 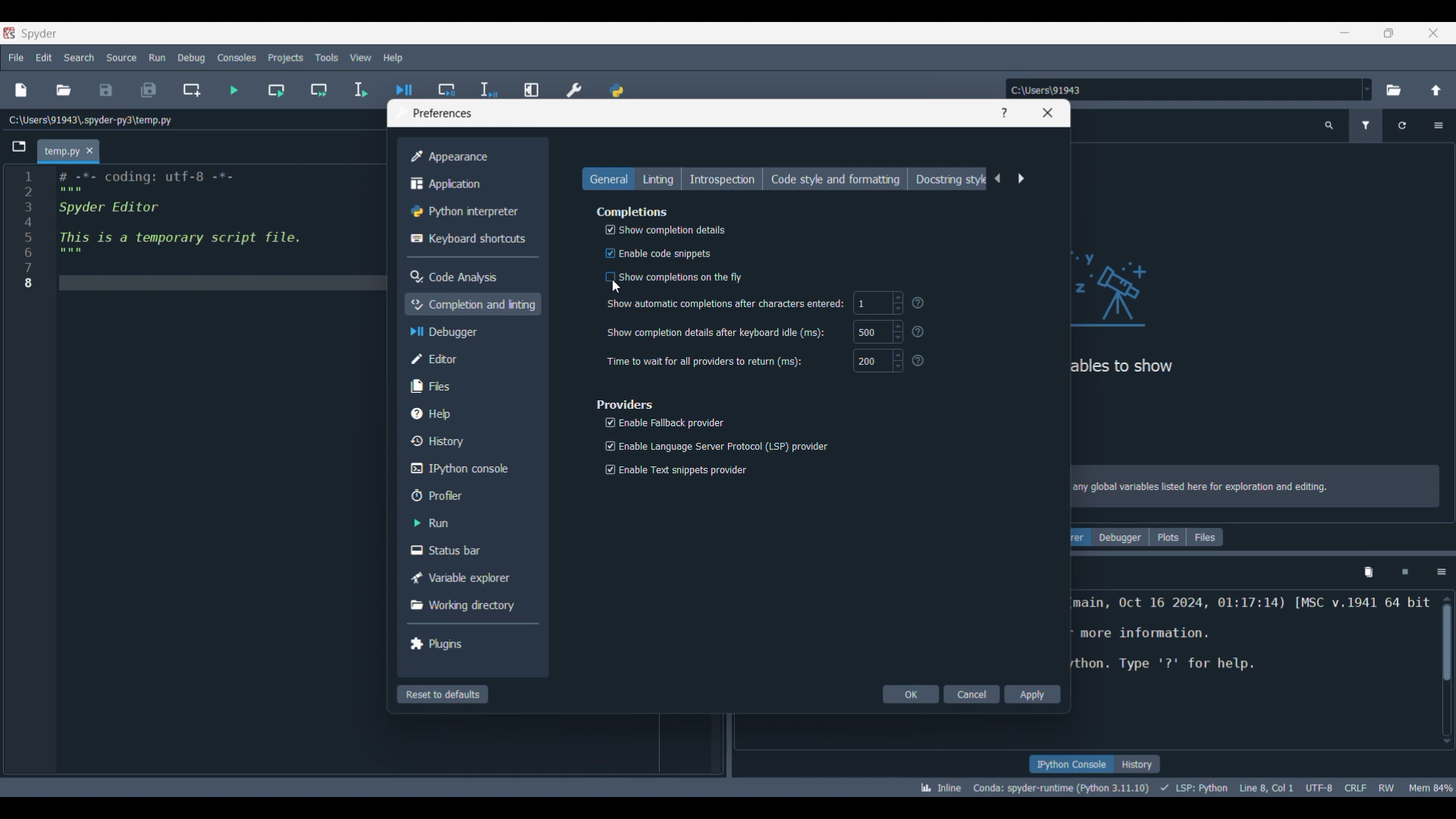 I want to click on Run menu, so click(x=157, y=57).